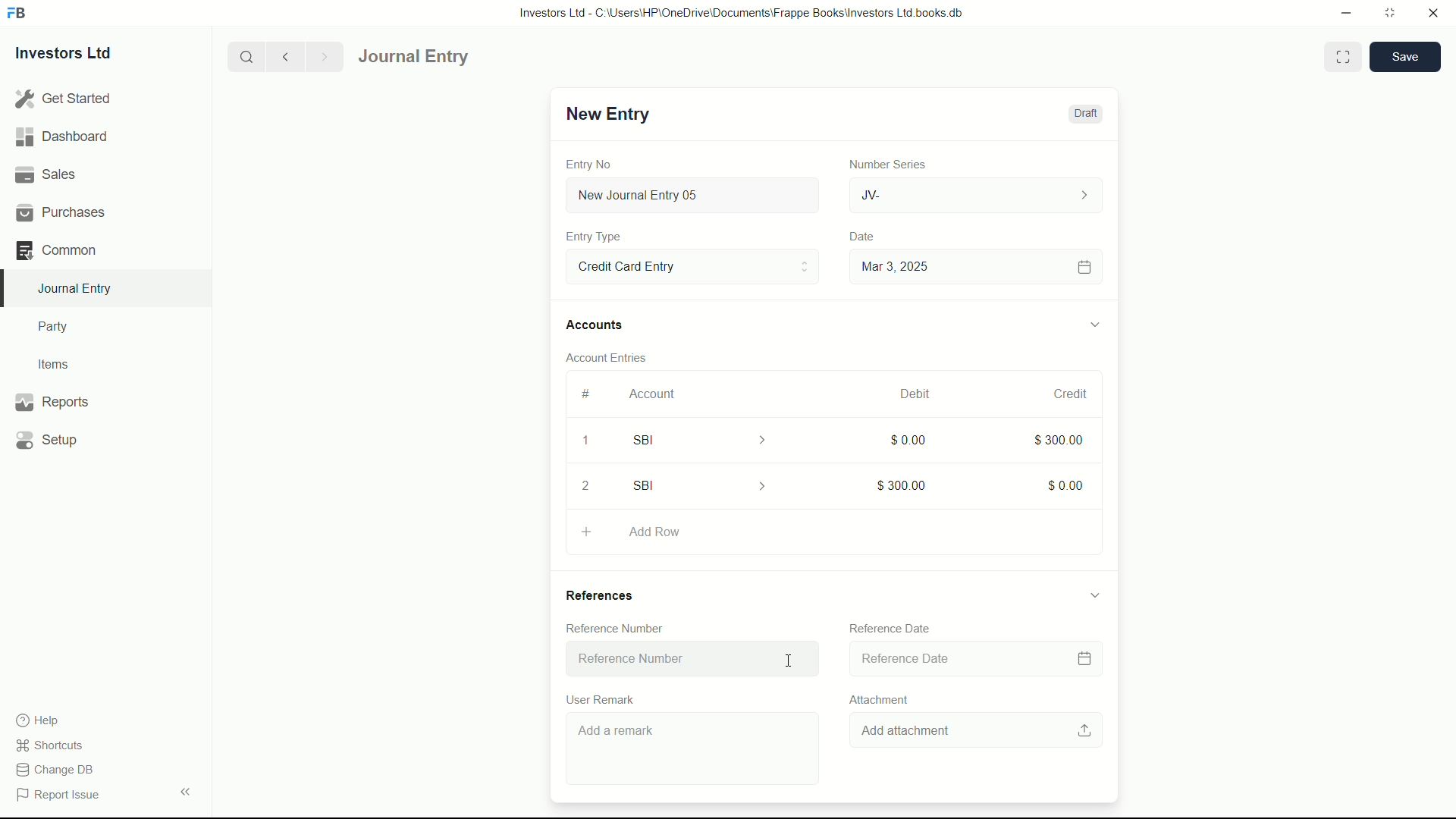  I want to click on New Entry, so click(605, 114).